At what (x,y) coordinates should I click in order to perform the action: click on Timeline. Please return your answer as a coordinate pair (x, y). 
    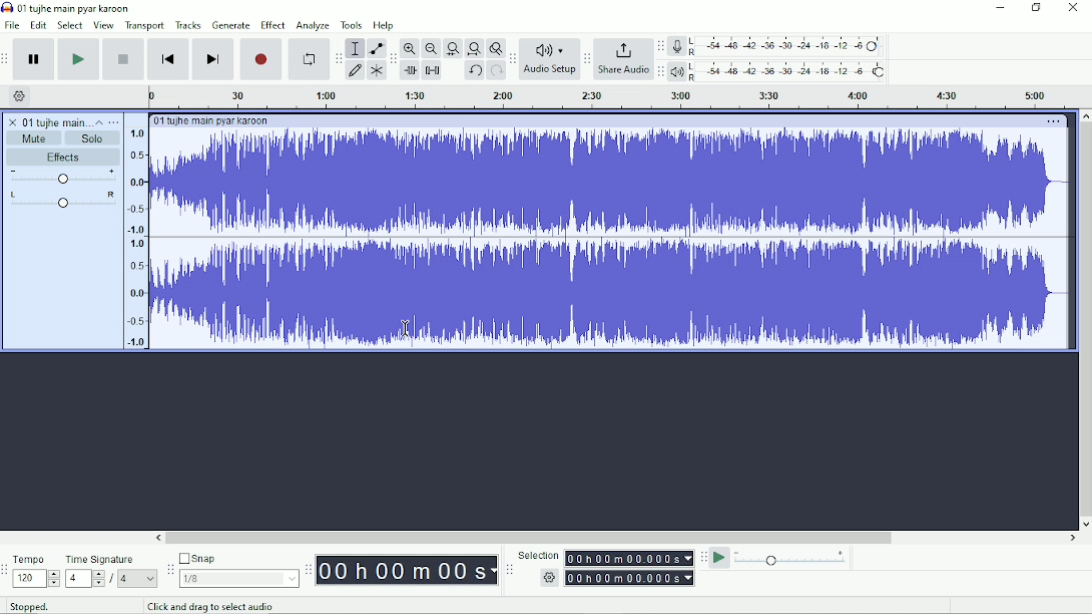
    Looking at the image, I should click on (618, 98).